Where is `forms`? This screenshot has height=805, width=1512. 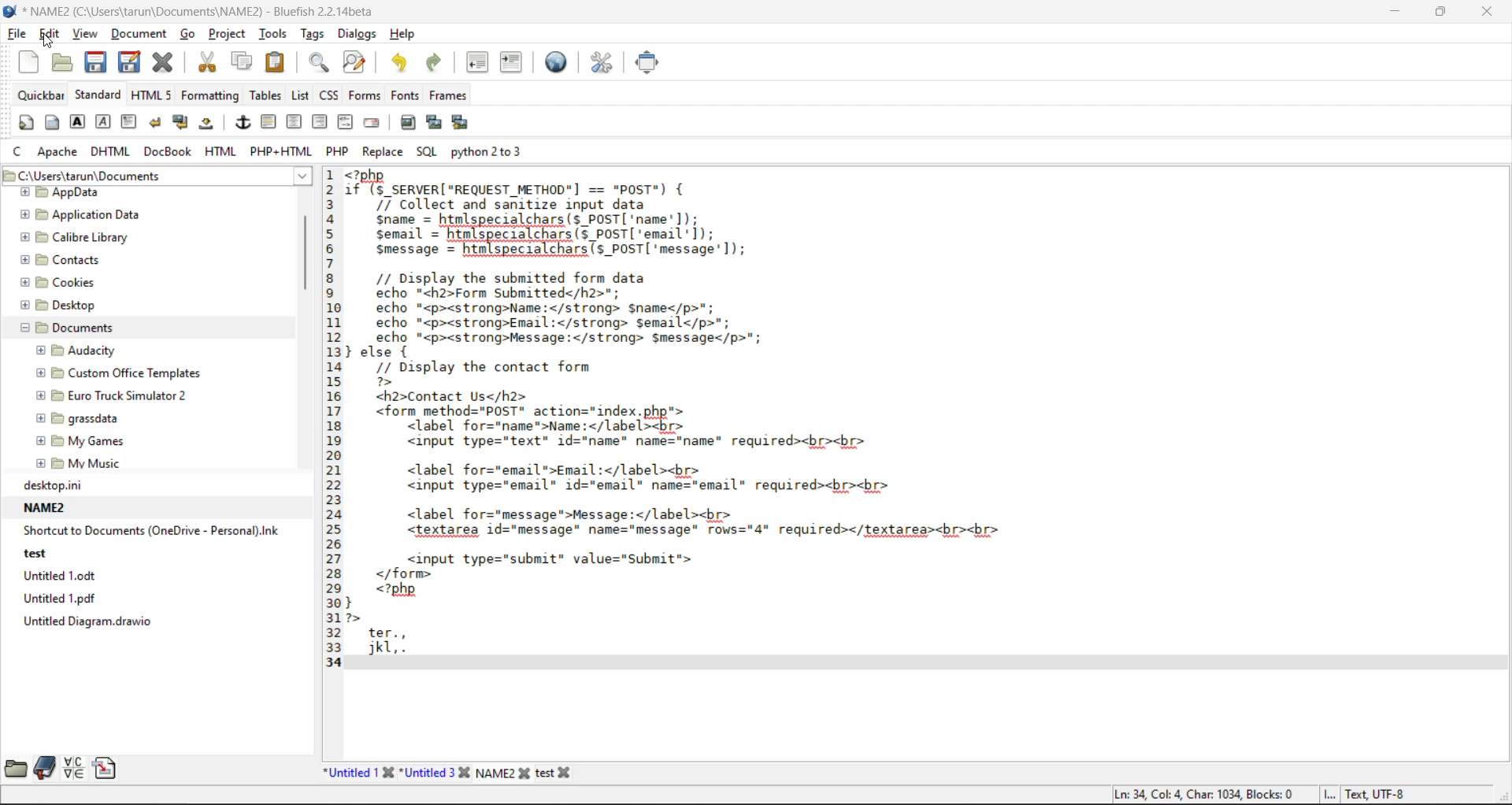 forms is located at coordinates (366, 95).